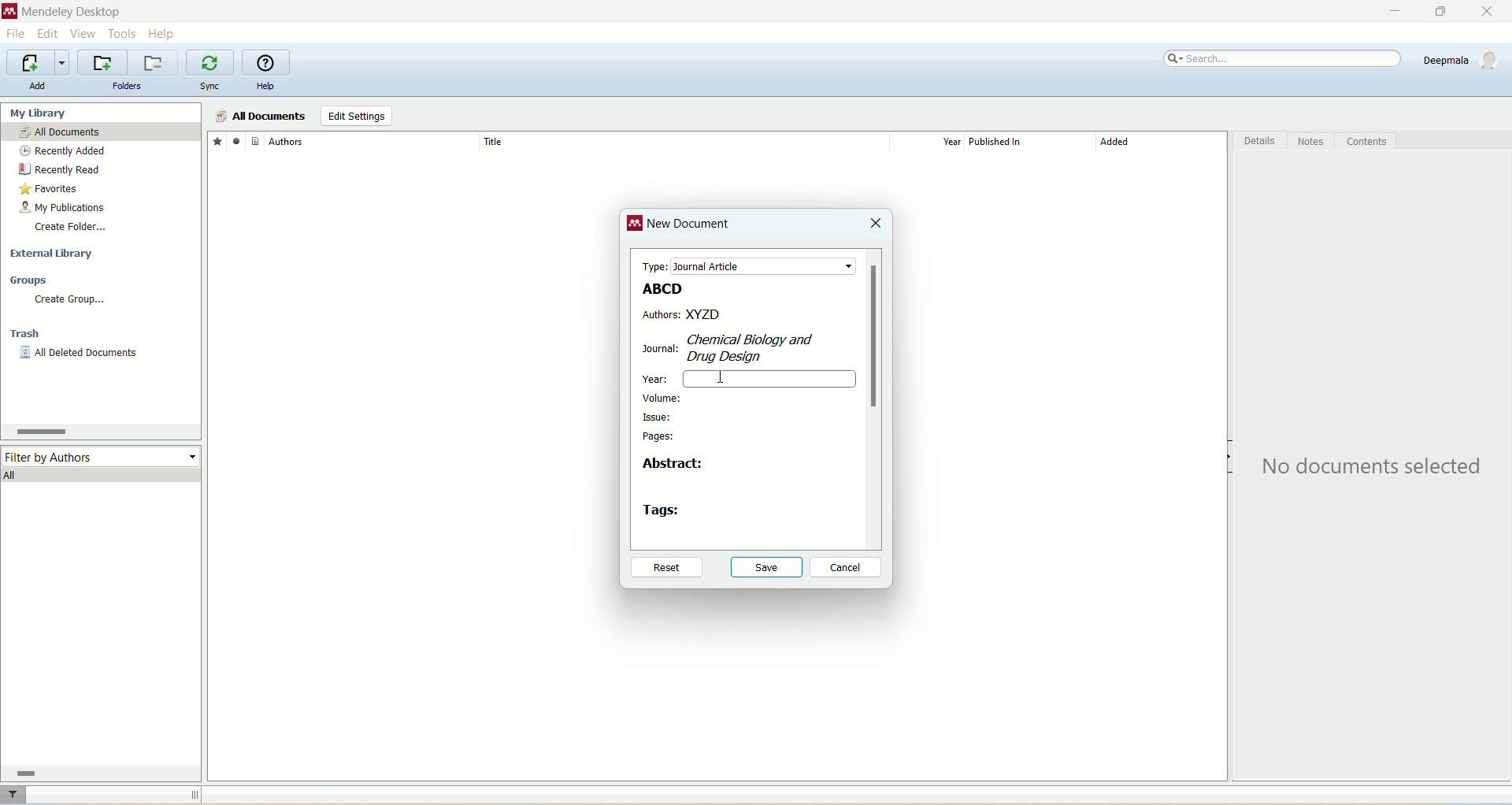 This screenshot has height=805, width=1512. Describe the element at coordinates (356, 117) in the screenshot. I see `edit settings` at that location.